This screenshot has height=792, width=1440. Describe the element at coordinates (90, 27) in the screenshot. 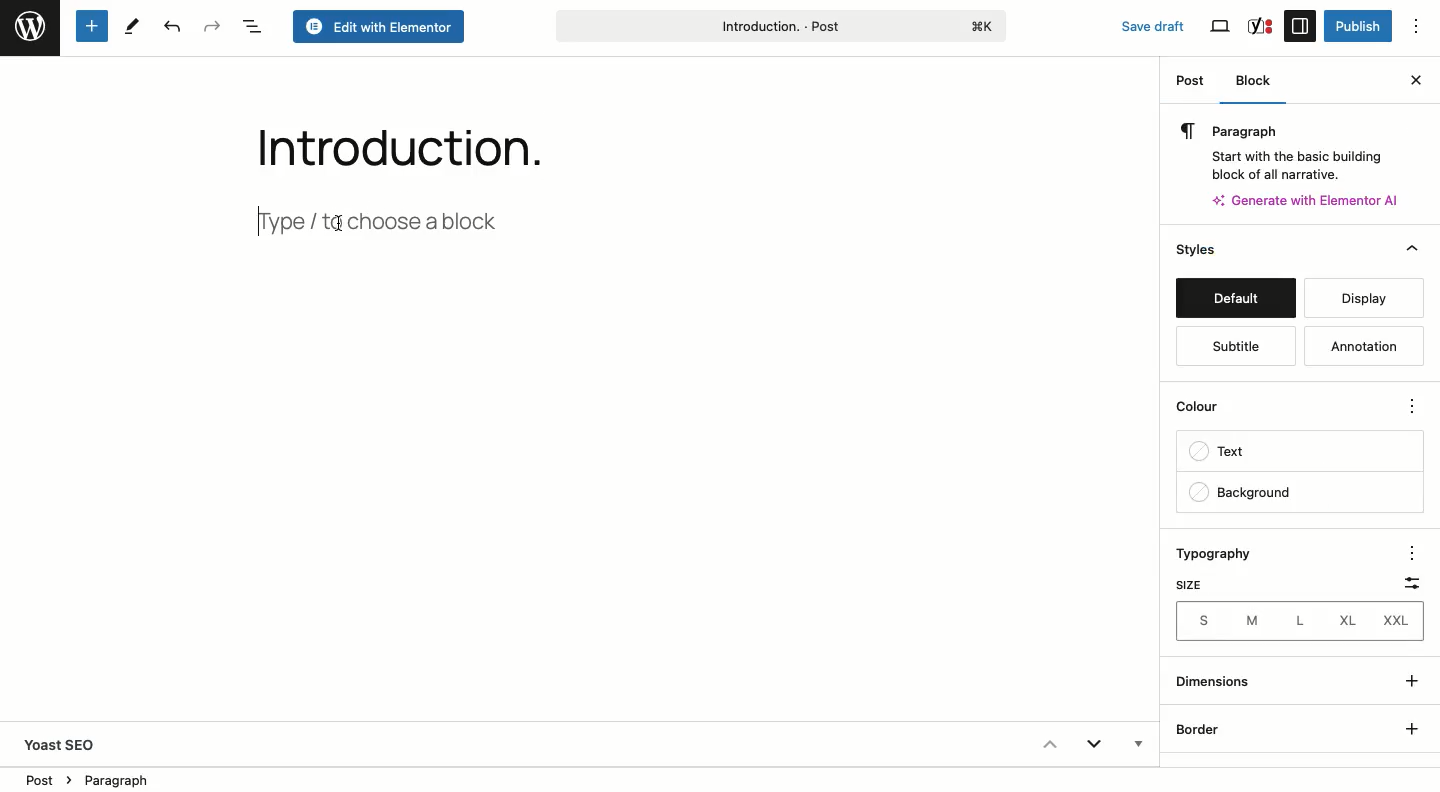

I see `Add new block` at that location.